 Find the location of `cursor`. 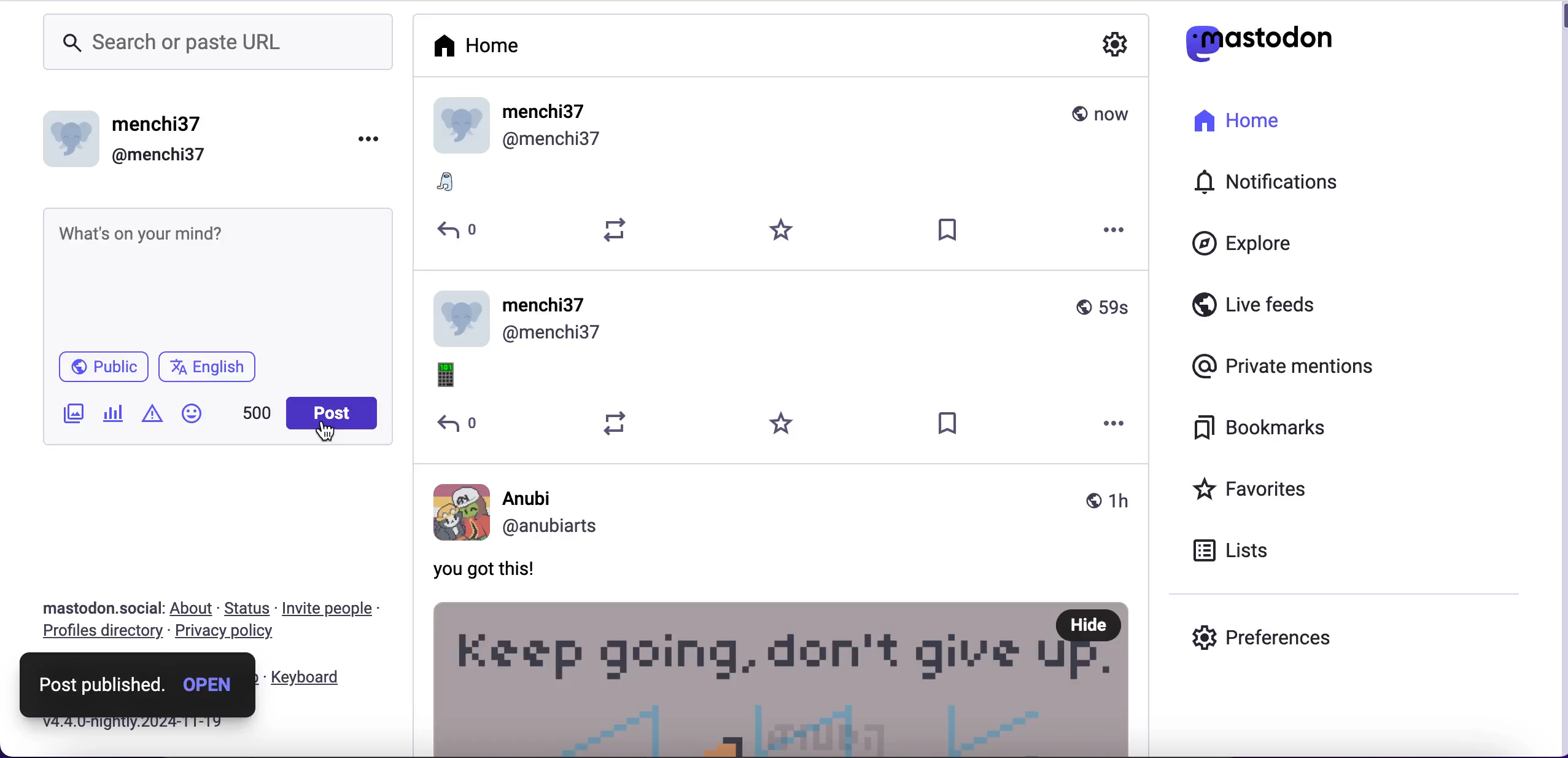

cursor is located at coordinates (325, 433).